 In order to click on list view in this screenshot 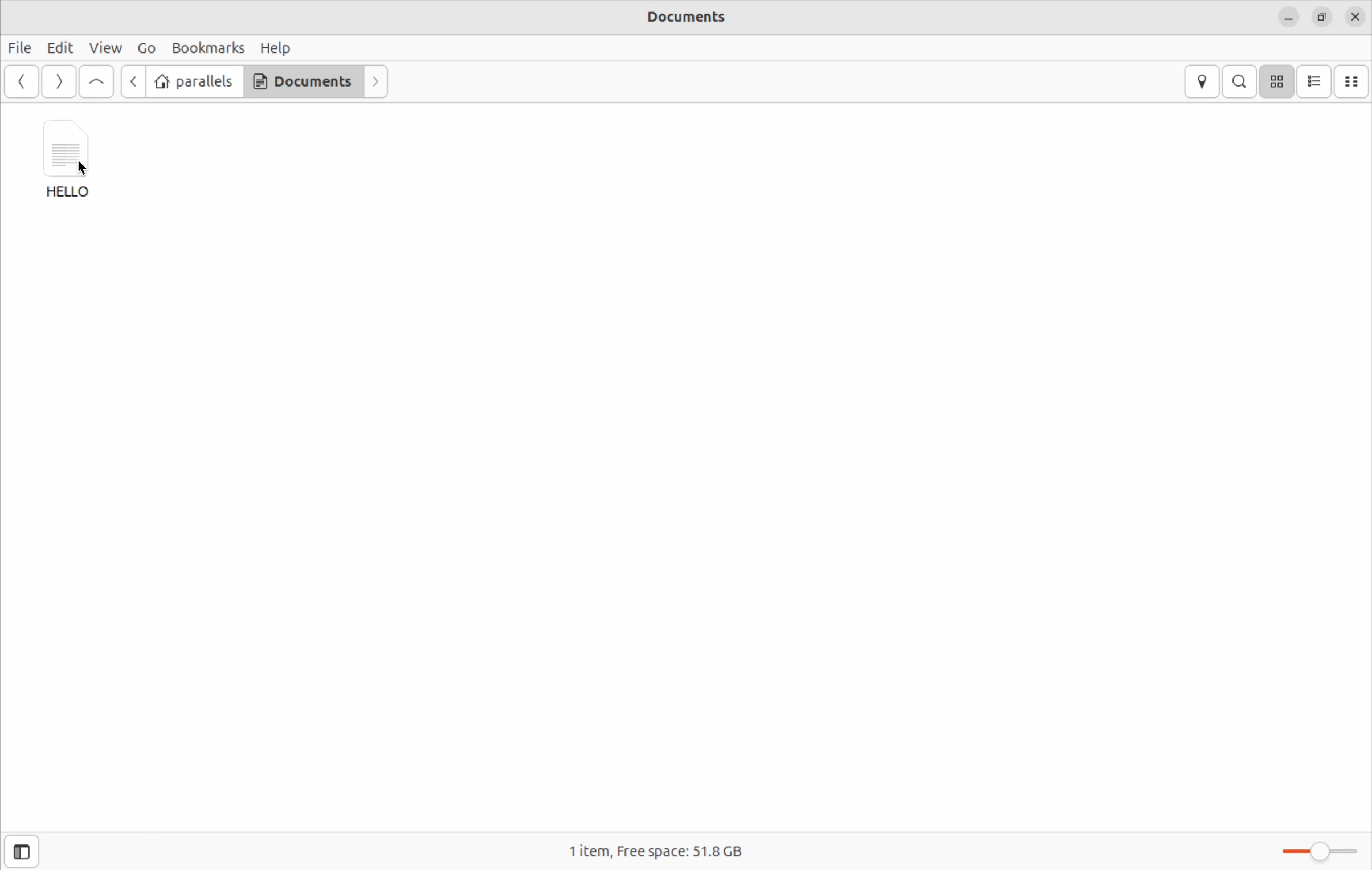, I will do `click(1317, 81)`.